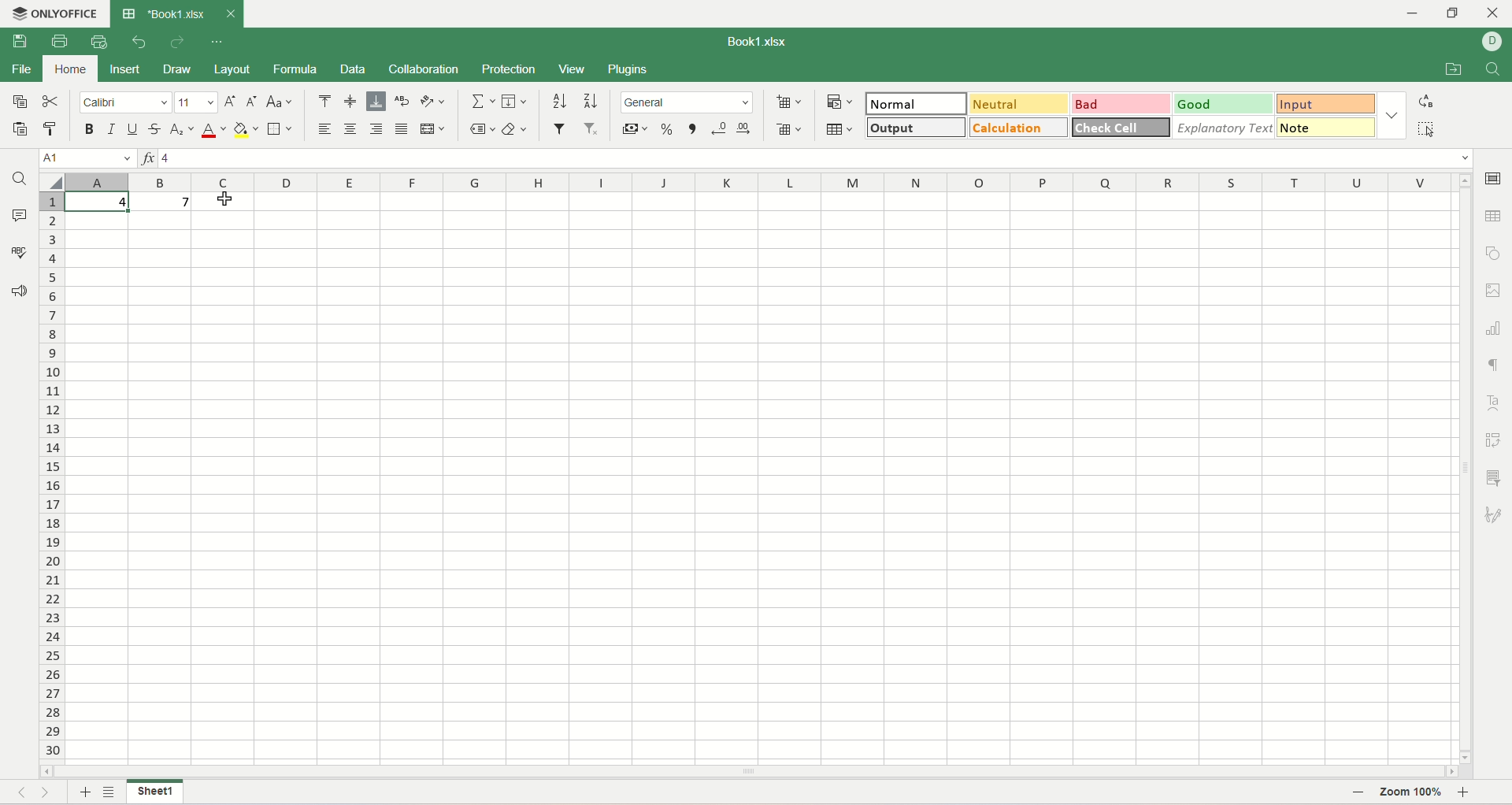  What do you see at coordinates (132, 129) in the screenshot?
I see `underline` at bounding box center [132, 129].